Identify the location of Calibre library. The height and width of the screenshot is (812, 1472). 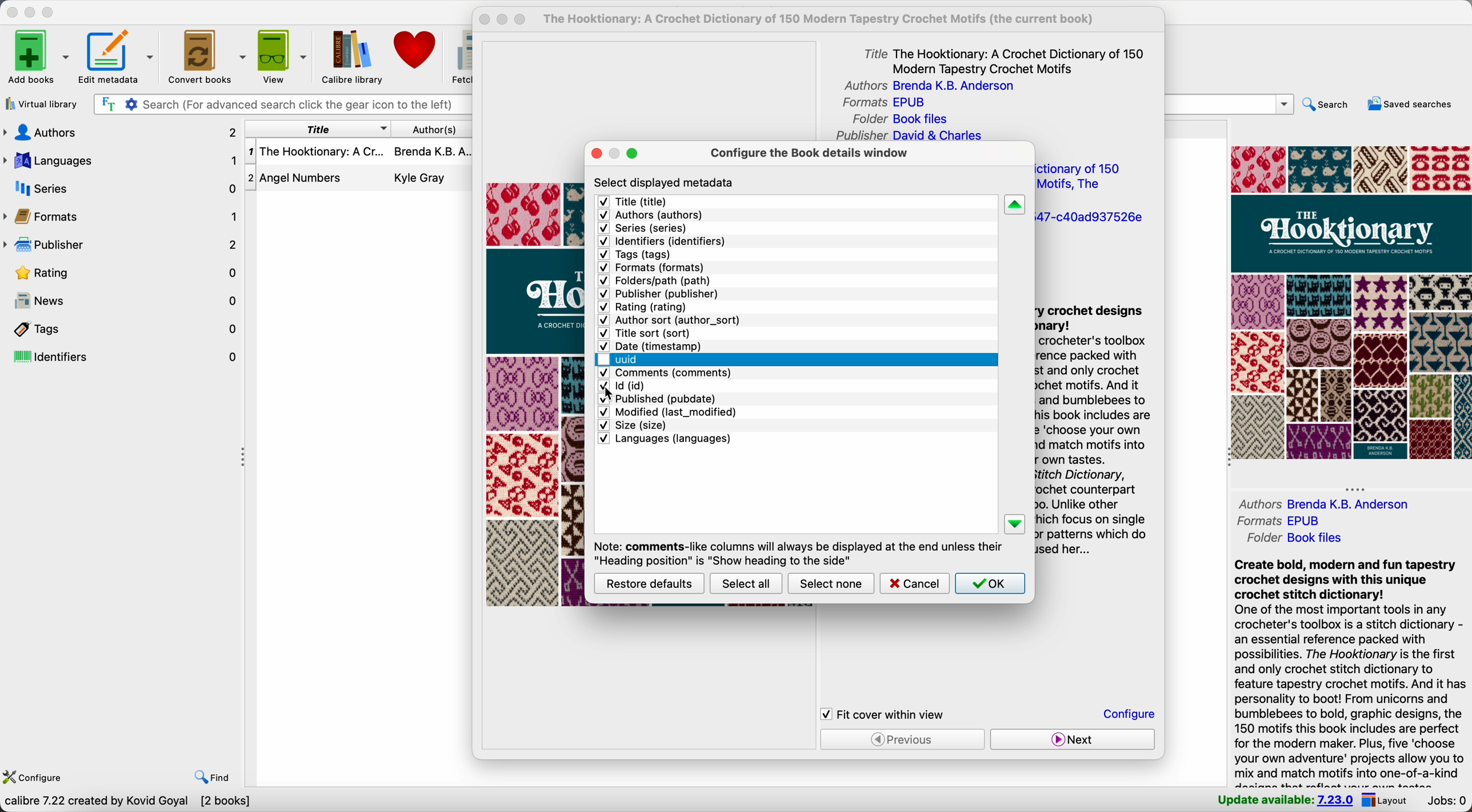
(351, 55).